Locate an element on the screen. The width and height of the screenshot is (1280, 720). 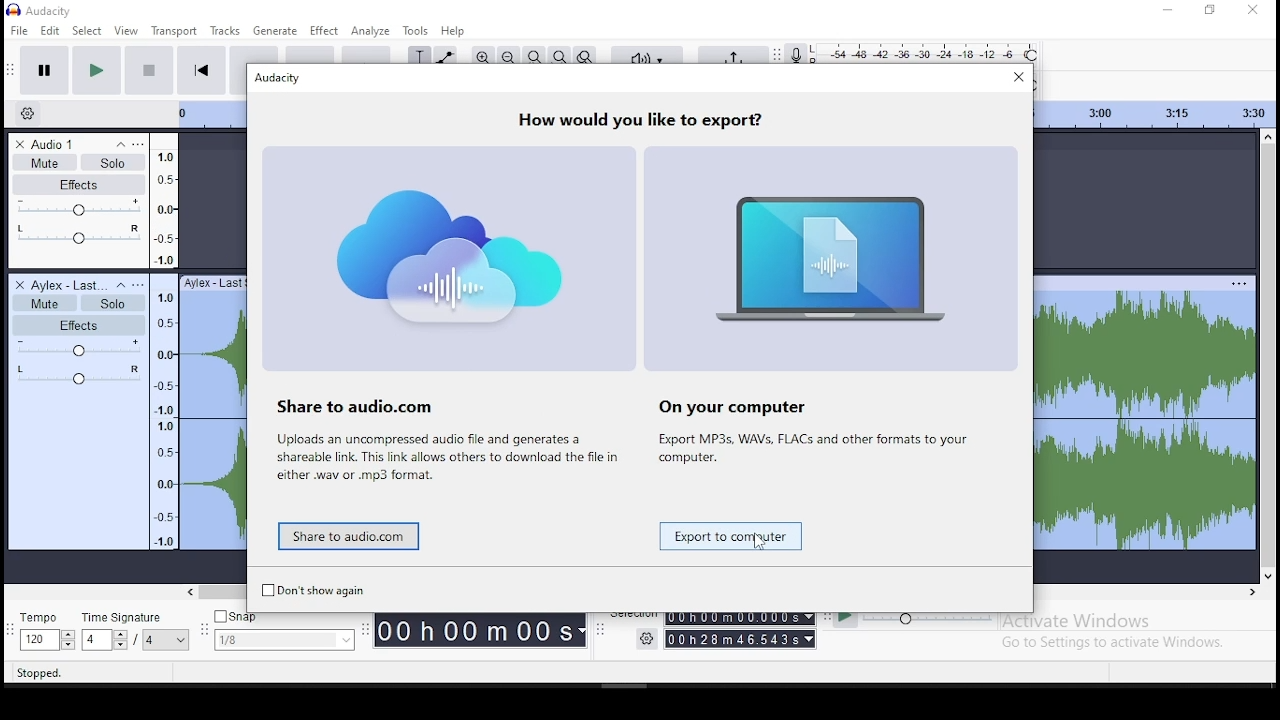
zoom out is located at coordinates (507, 53).